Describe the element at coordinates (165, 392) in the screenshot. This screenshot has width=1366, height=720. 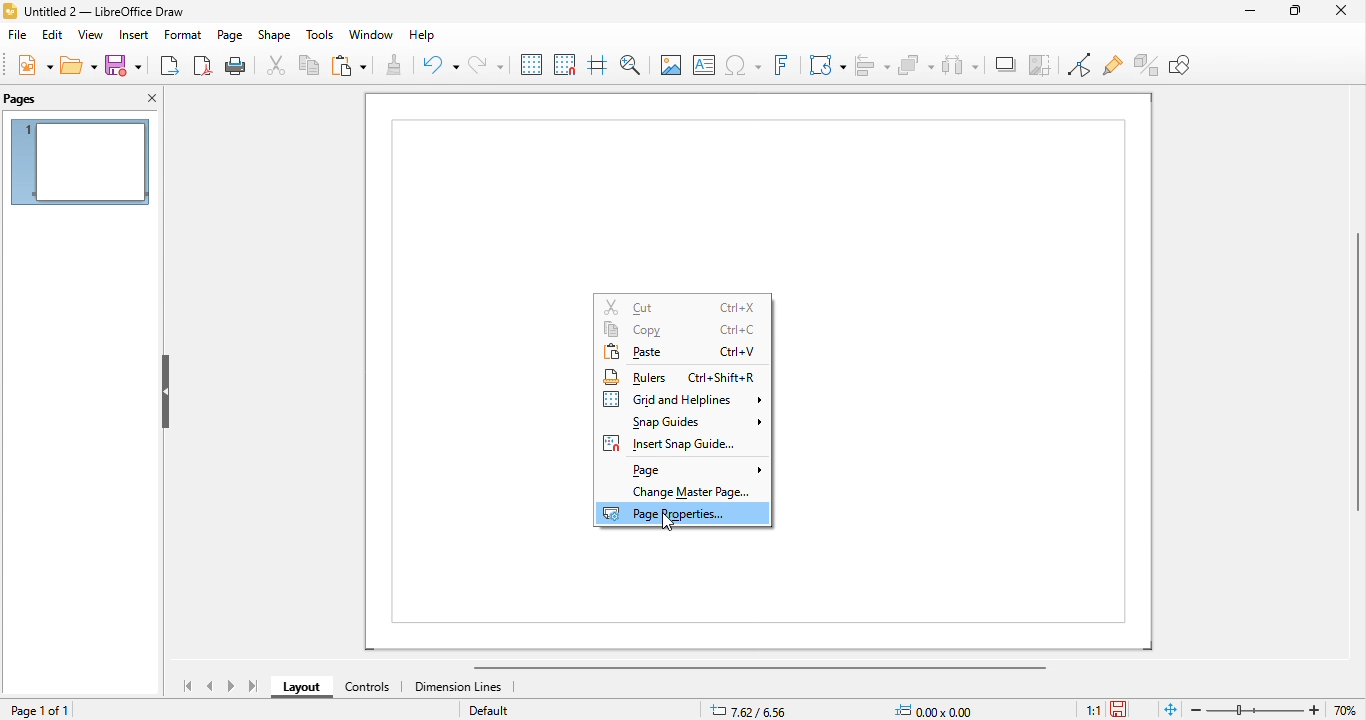
I see `hide` at that location.